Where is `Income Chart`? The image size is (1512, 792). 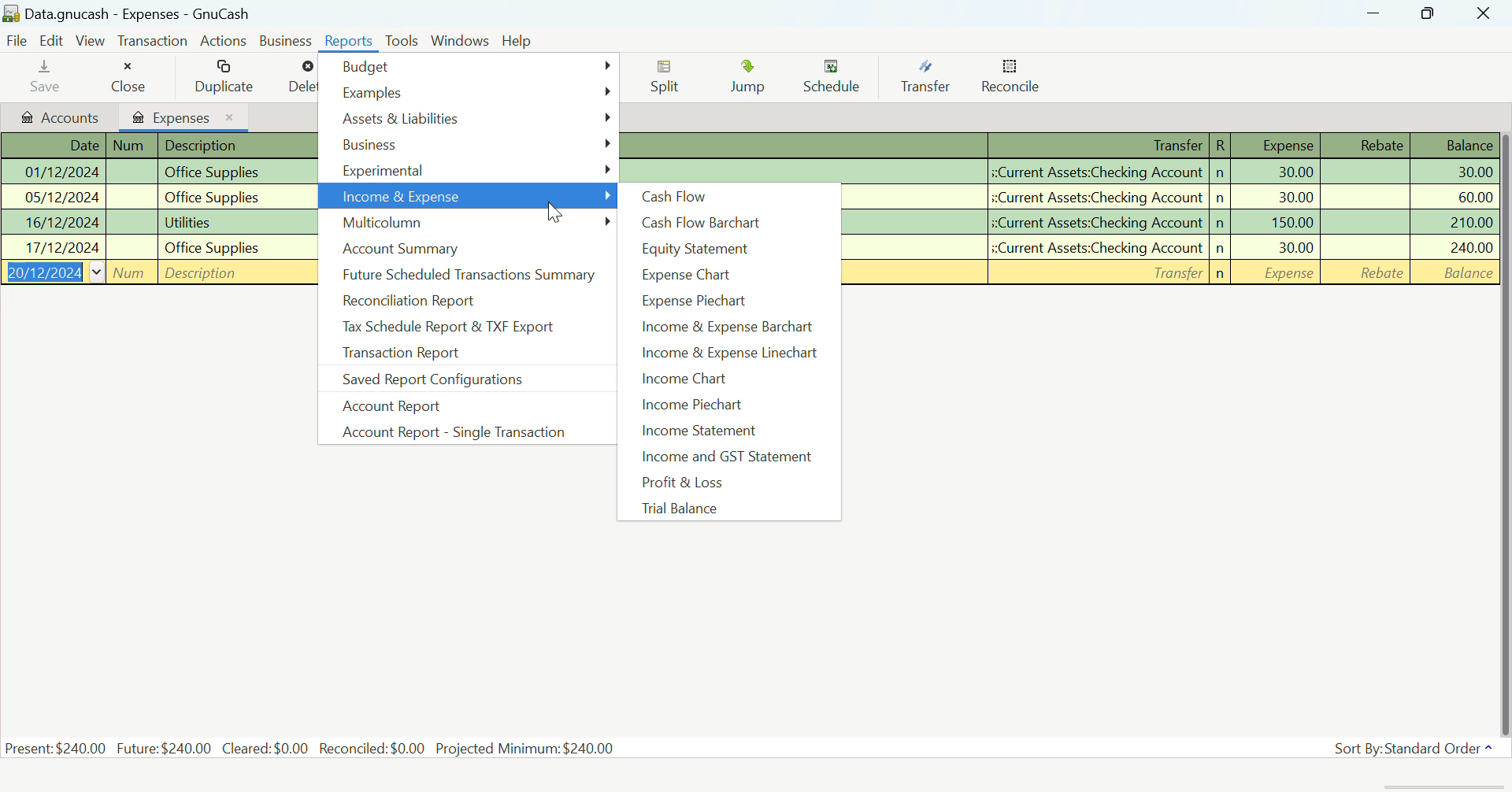 Income Chart is located at coordinates (728, 379).